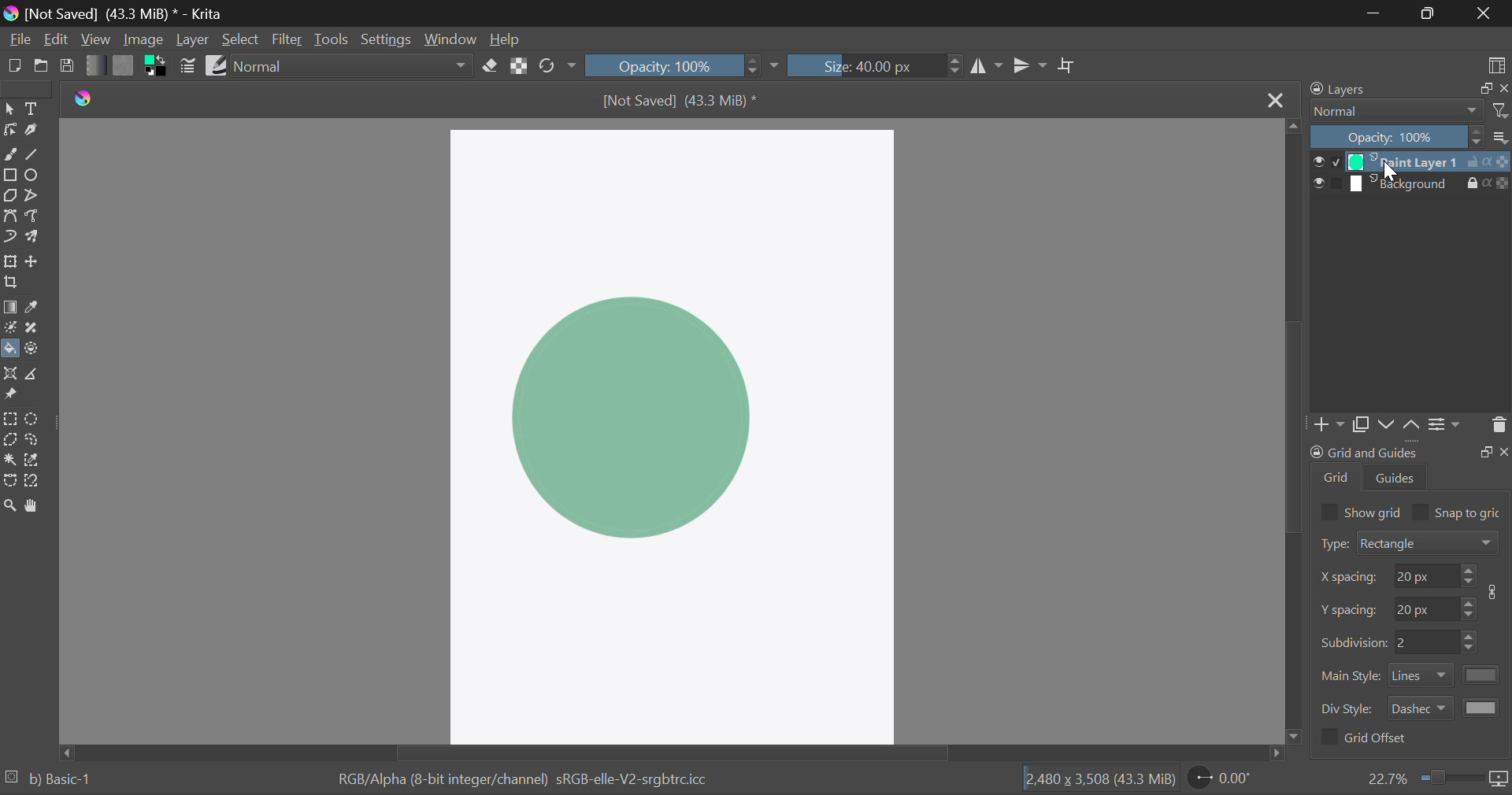  I want to click on Help, so click(507, 41).